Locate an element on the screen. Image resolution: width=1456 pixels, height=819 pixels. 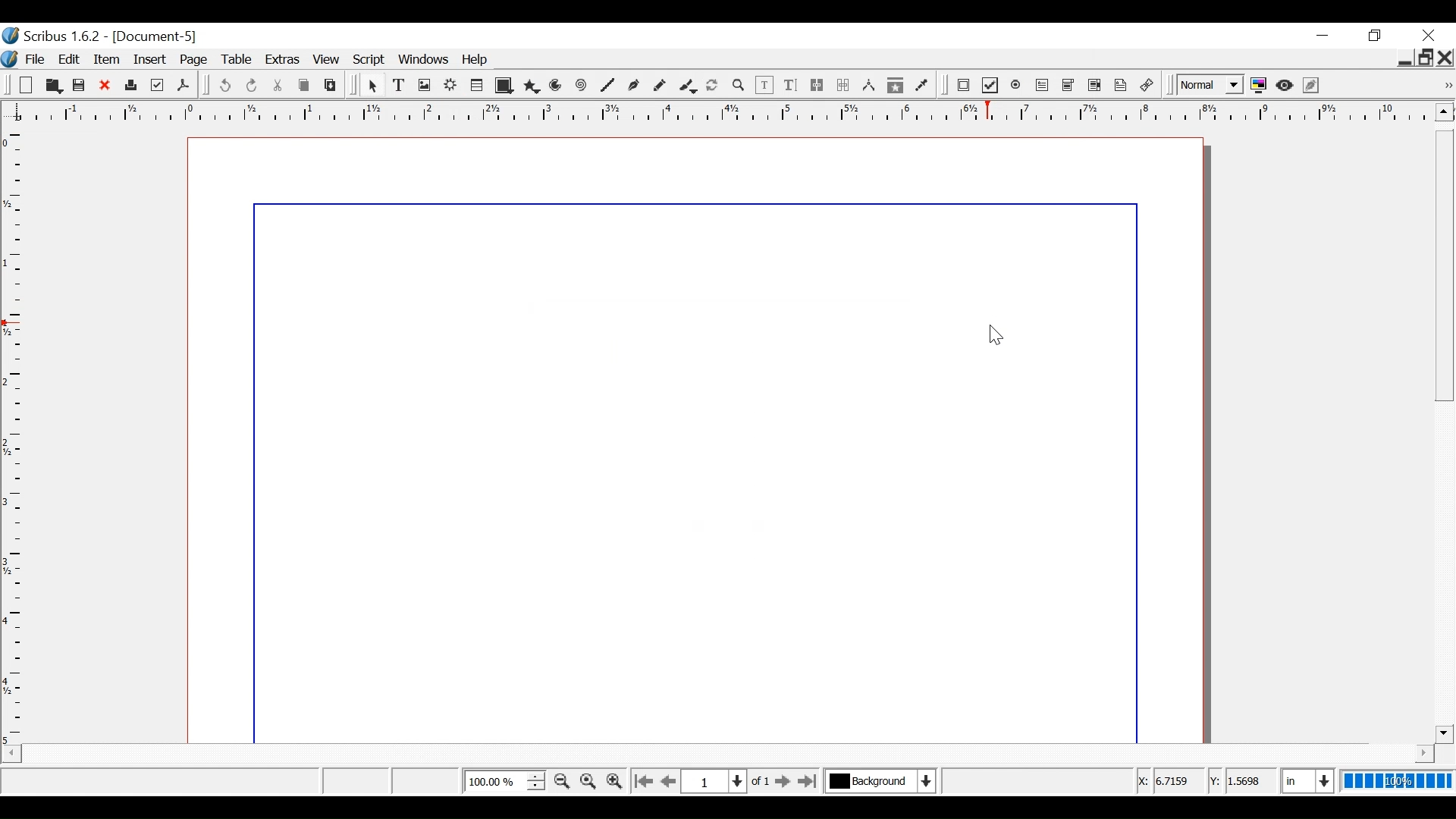
PDF Check Box is located at coordinates (990, 86).